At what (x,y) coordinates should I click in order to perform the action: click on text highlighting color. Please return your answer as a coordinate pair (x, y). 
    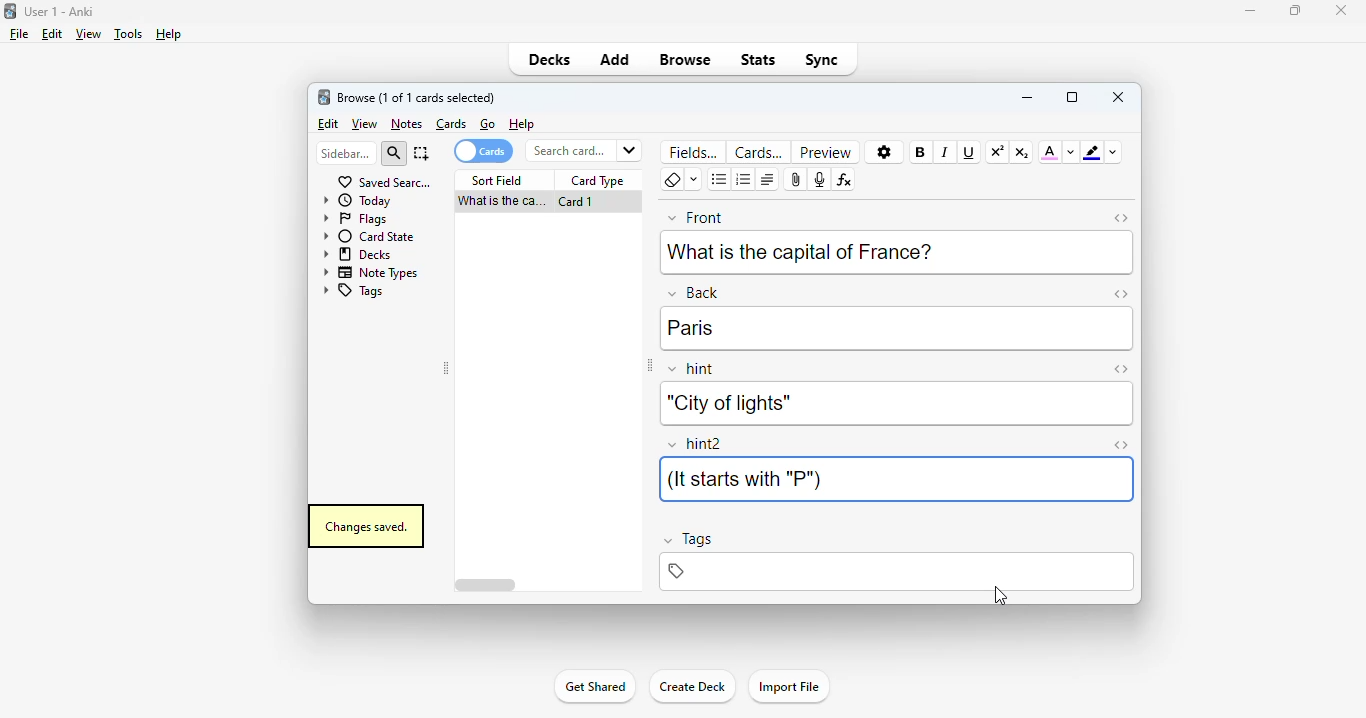
    Looking at the image, I should click on (1091, 152).